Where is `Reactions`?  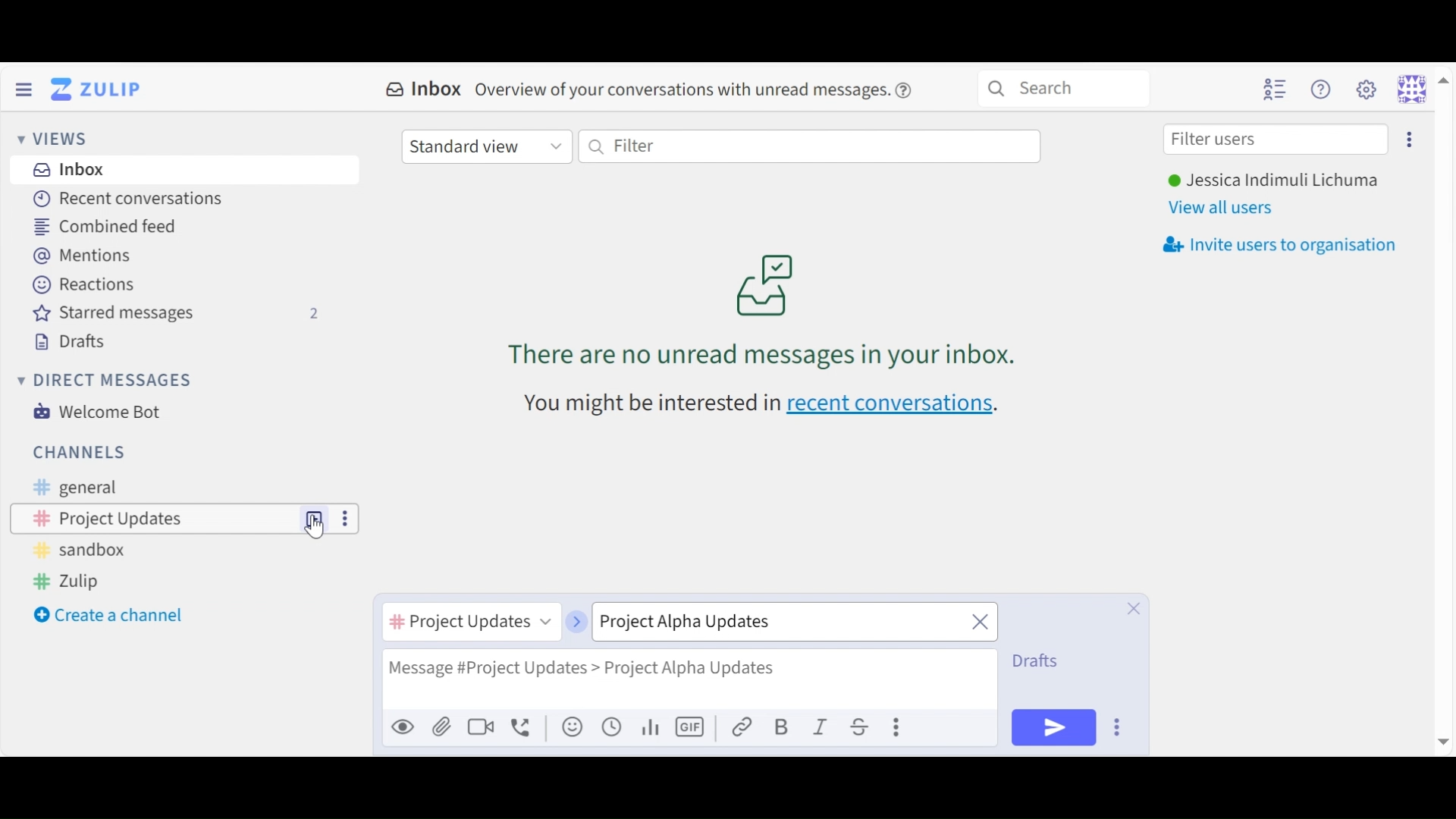
Reactions is located at coordinates (83, 283).